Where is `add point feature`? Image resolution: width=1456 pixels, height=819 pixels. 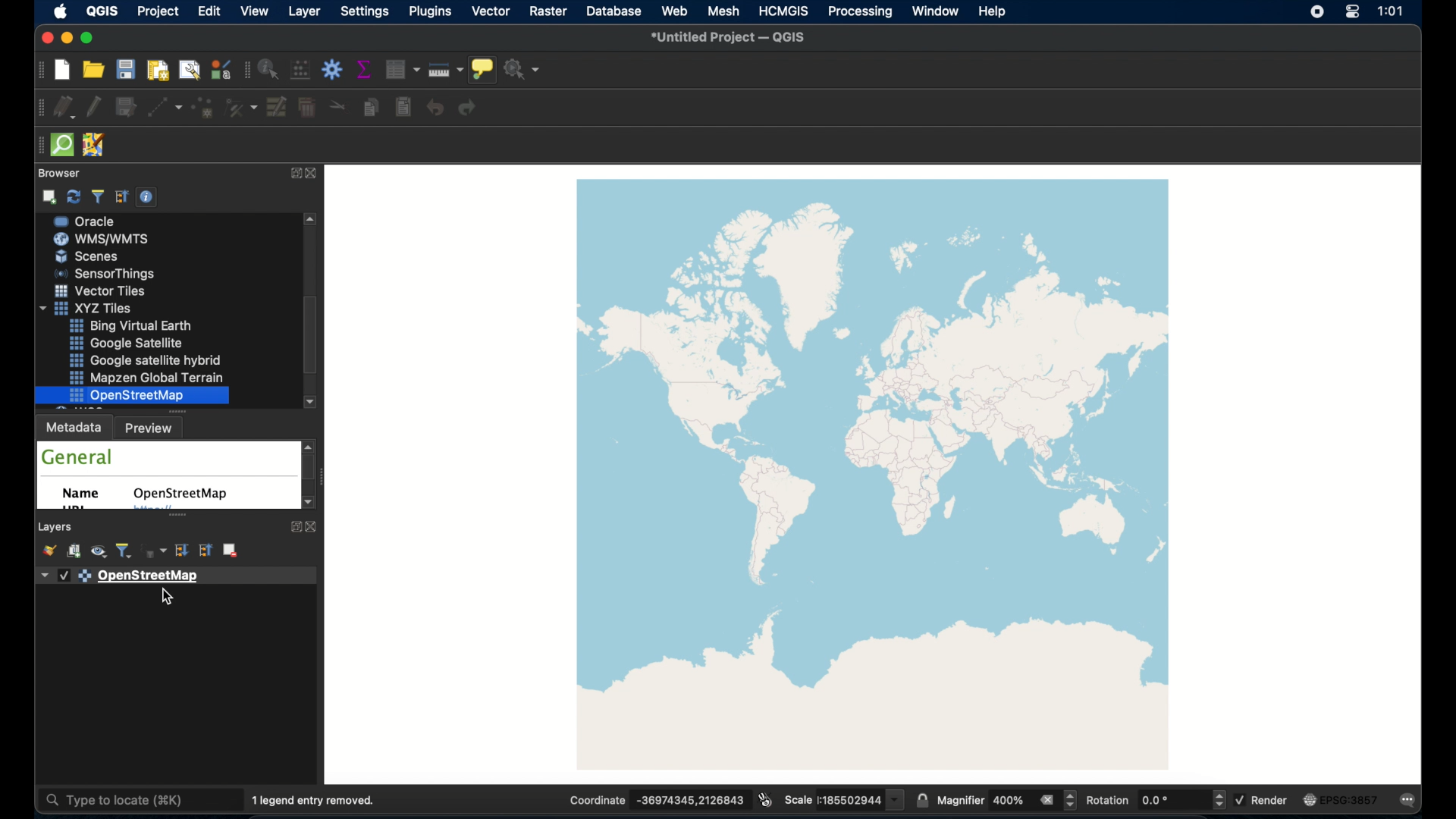
add point feature is located at coordinates (204, 108).